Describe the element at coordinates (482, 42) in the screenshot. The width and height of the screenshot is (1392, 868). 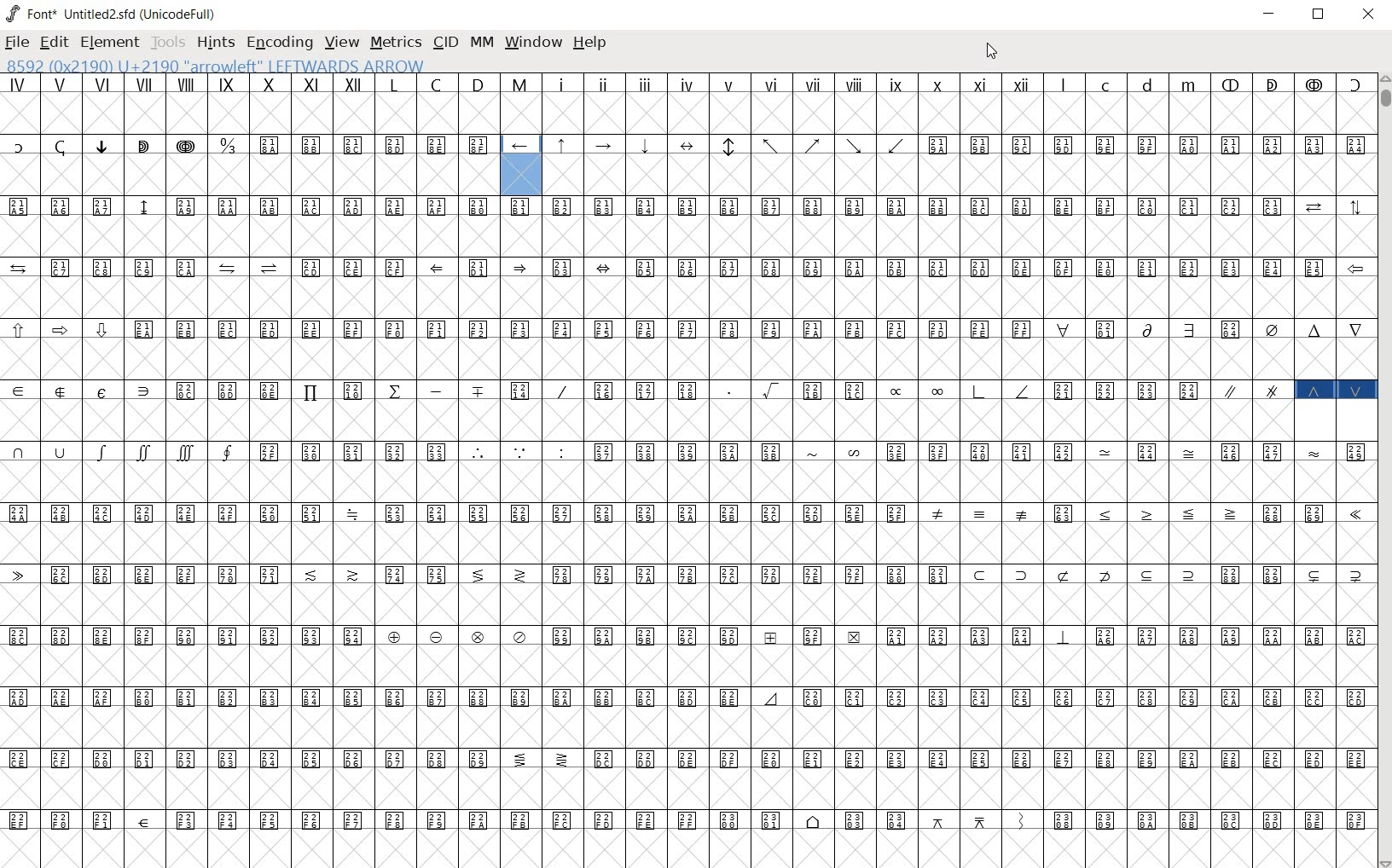
I see `mm` at that location.